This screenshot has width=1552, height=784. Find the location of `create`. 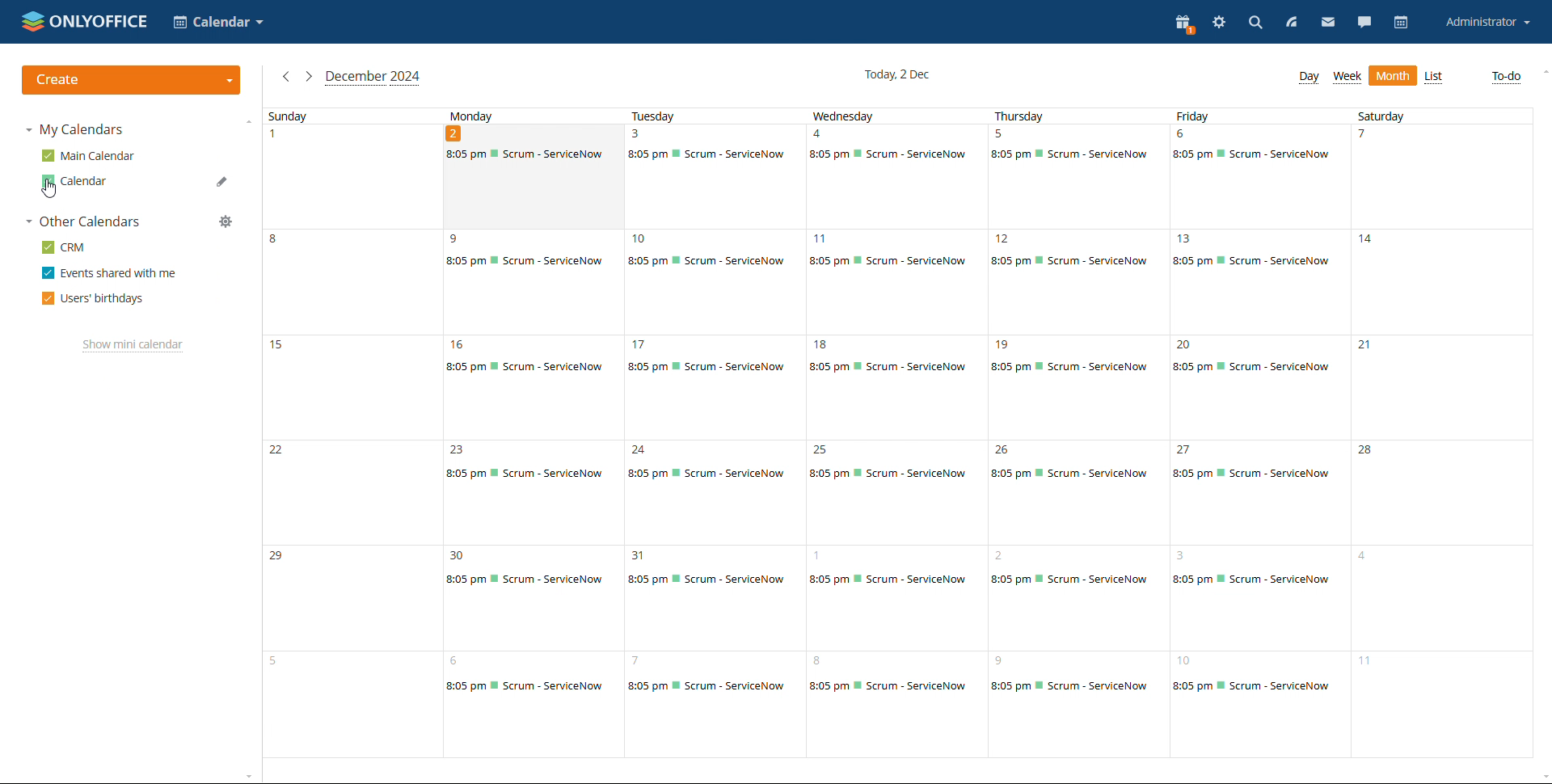

create is located at coordinates (132, 80).